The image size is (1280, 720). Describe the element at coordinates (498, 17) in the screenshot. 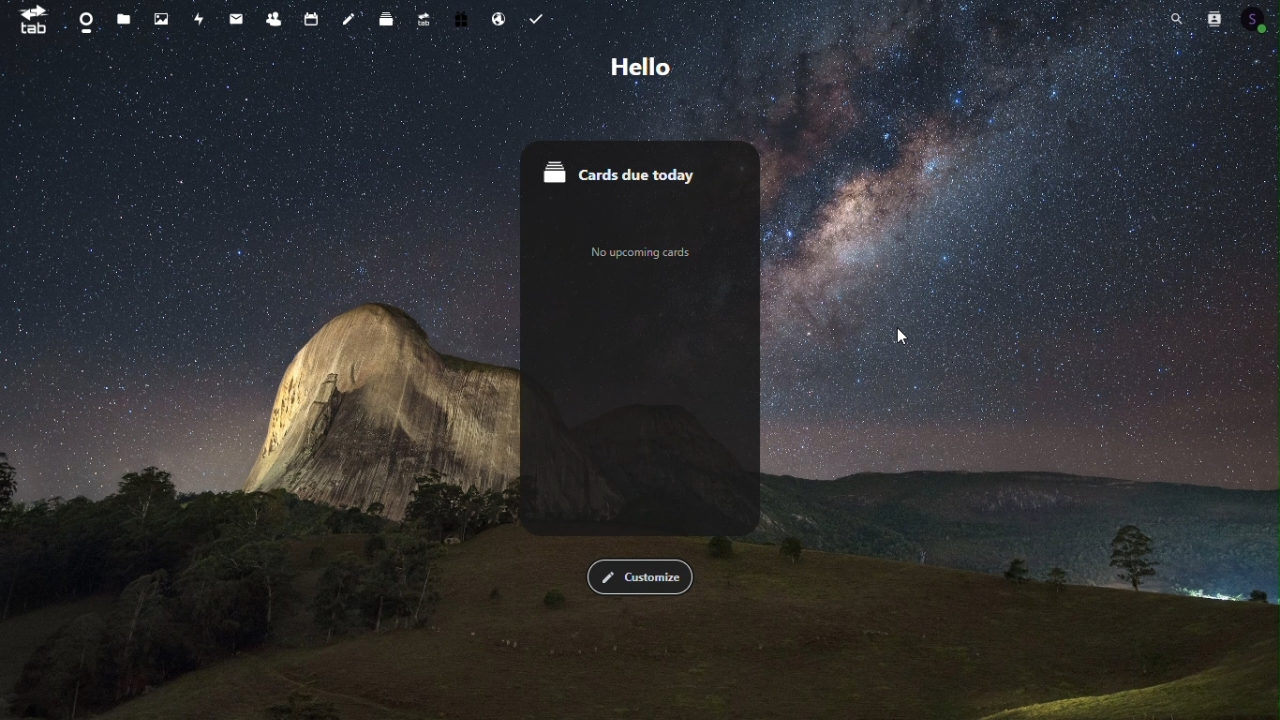

I see `Email hosting` at that location.